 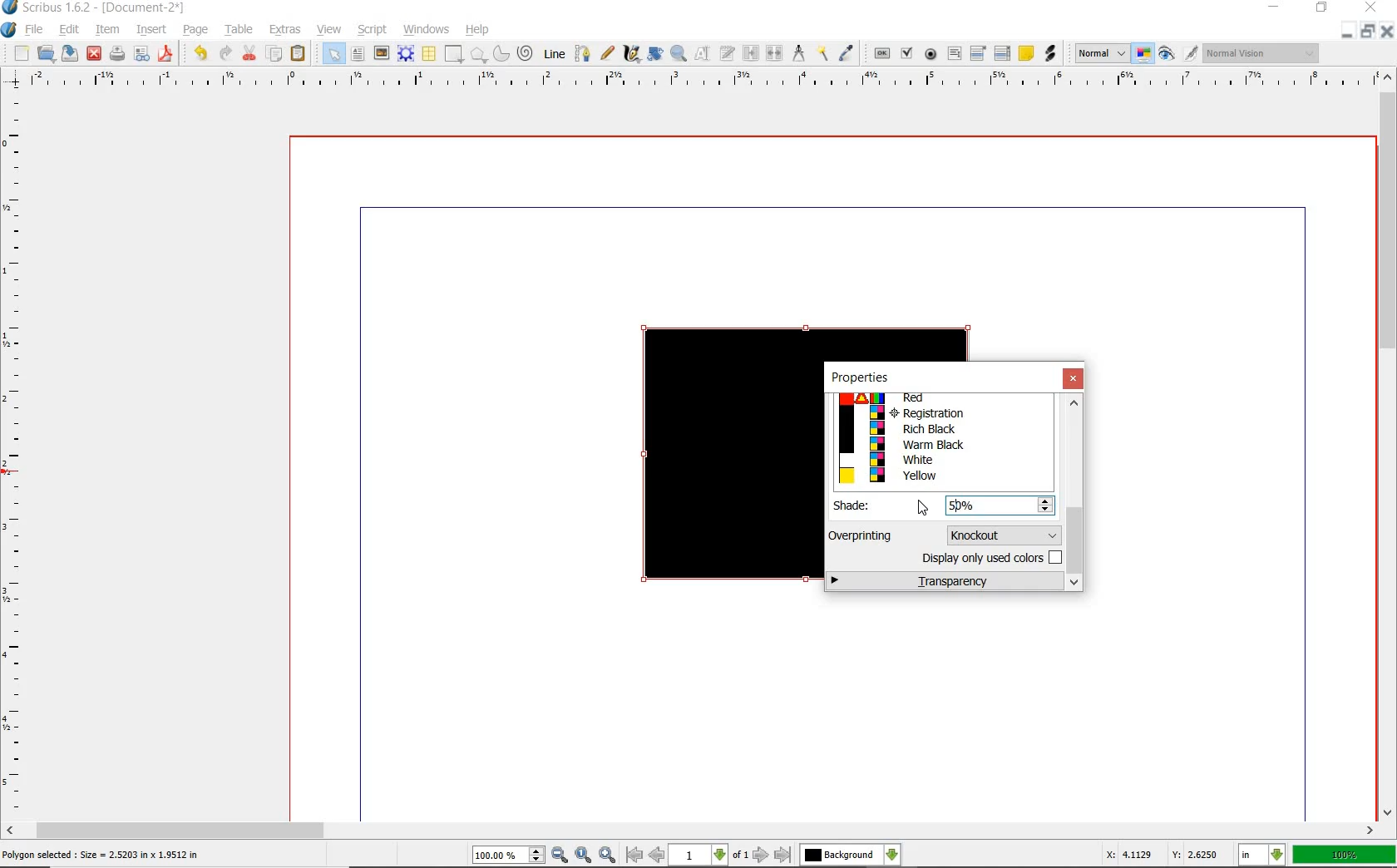 What do you see at coordinates (286, 29) in the screenshot?
I see `extras` at bounding box center [286, 29].